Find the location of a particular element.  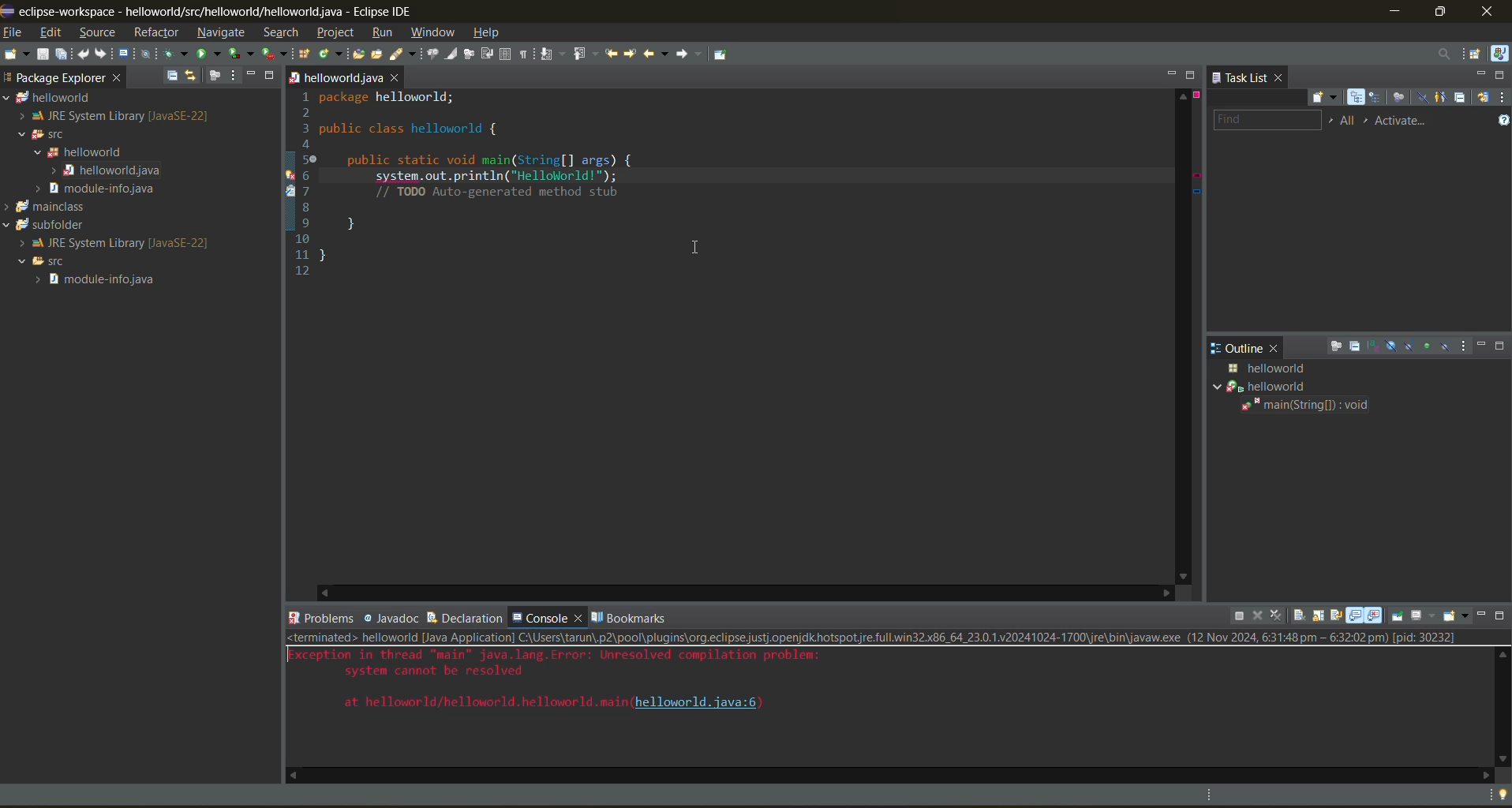

hide non public members is located at coordinates (1429, 346).